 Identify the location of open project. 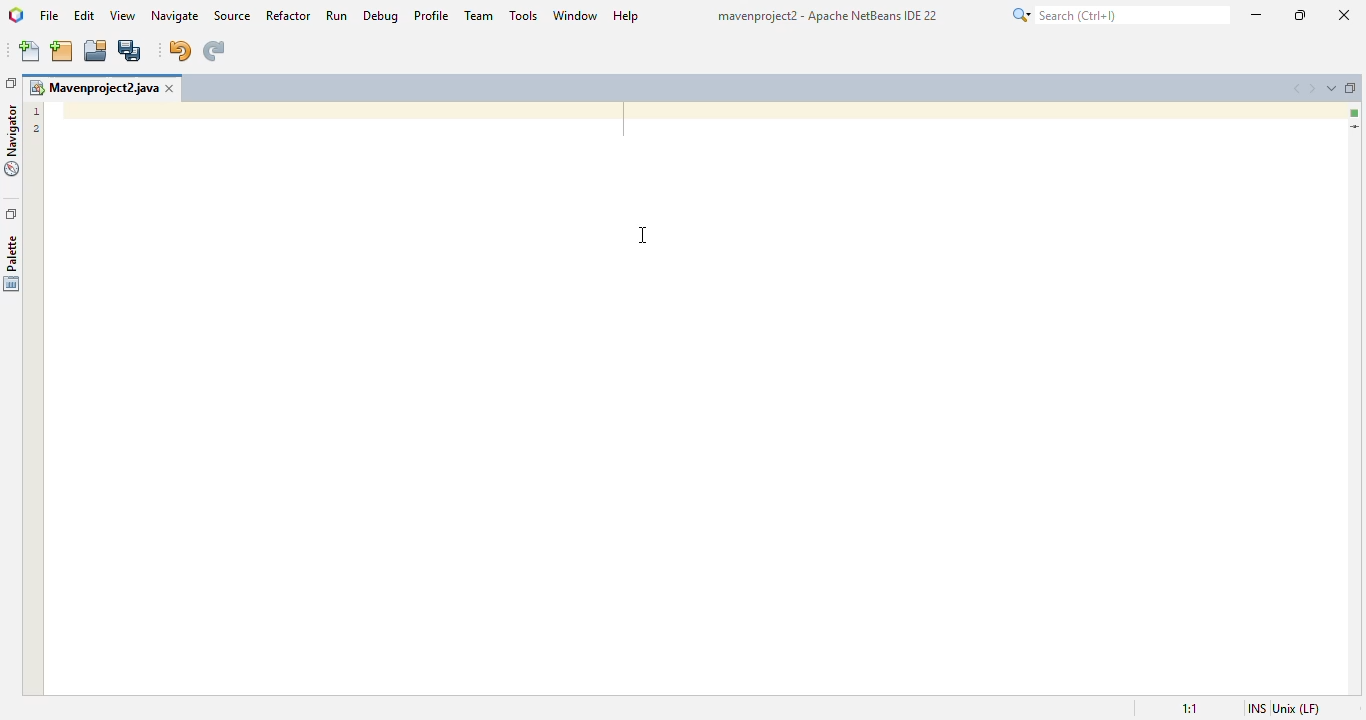
(96, 50).